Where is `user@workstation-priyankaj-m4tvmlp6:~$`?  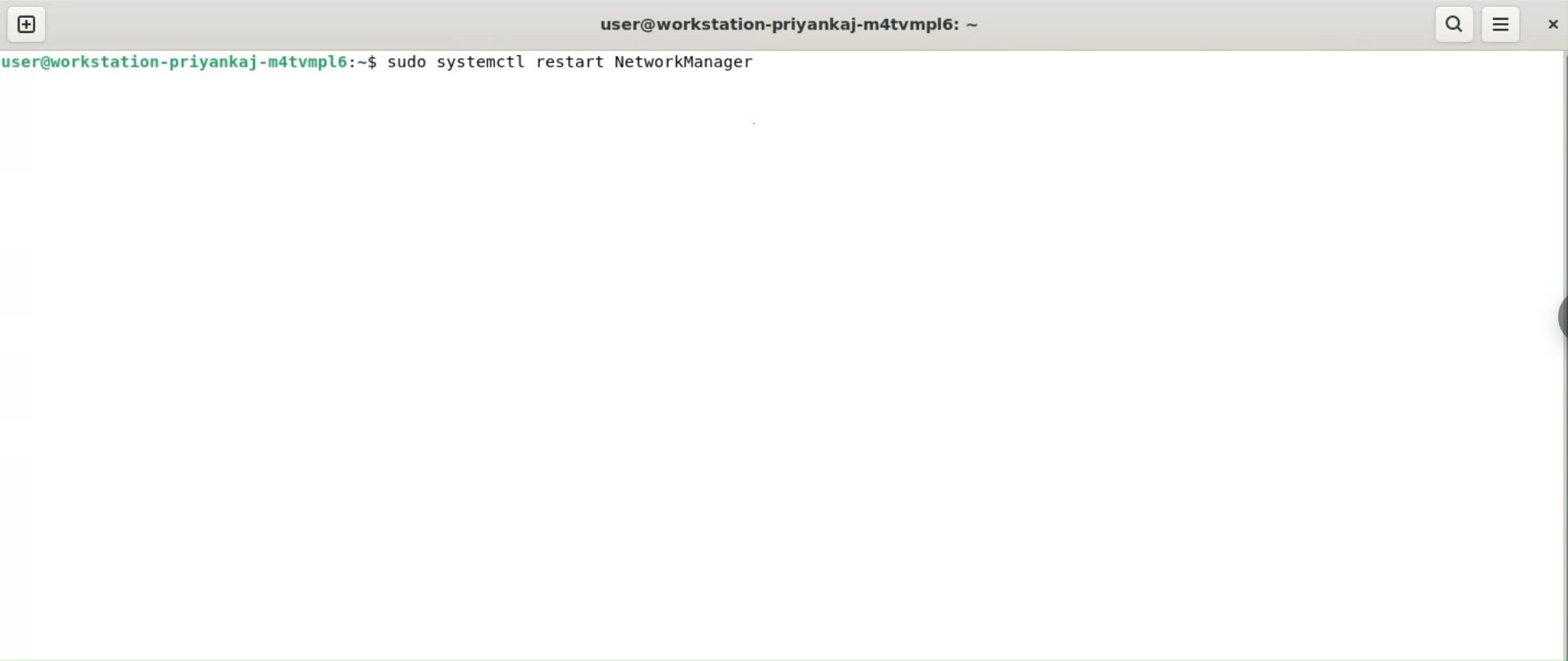 user@workstation-priyankaj-m4tvmlp6:~$ is located at coordinates (190, 62).